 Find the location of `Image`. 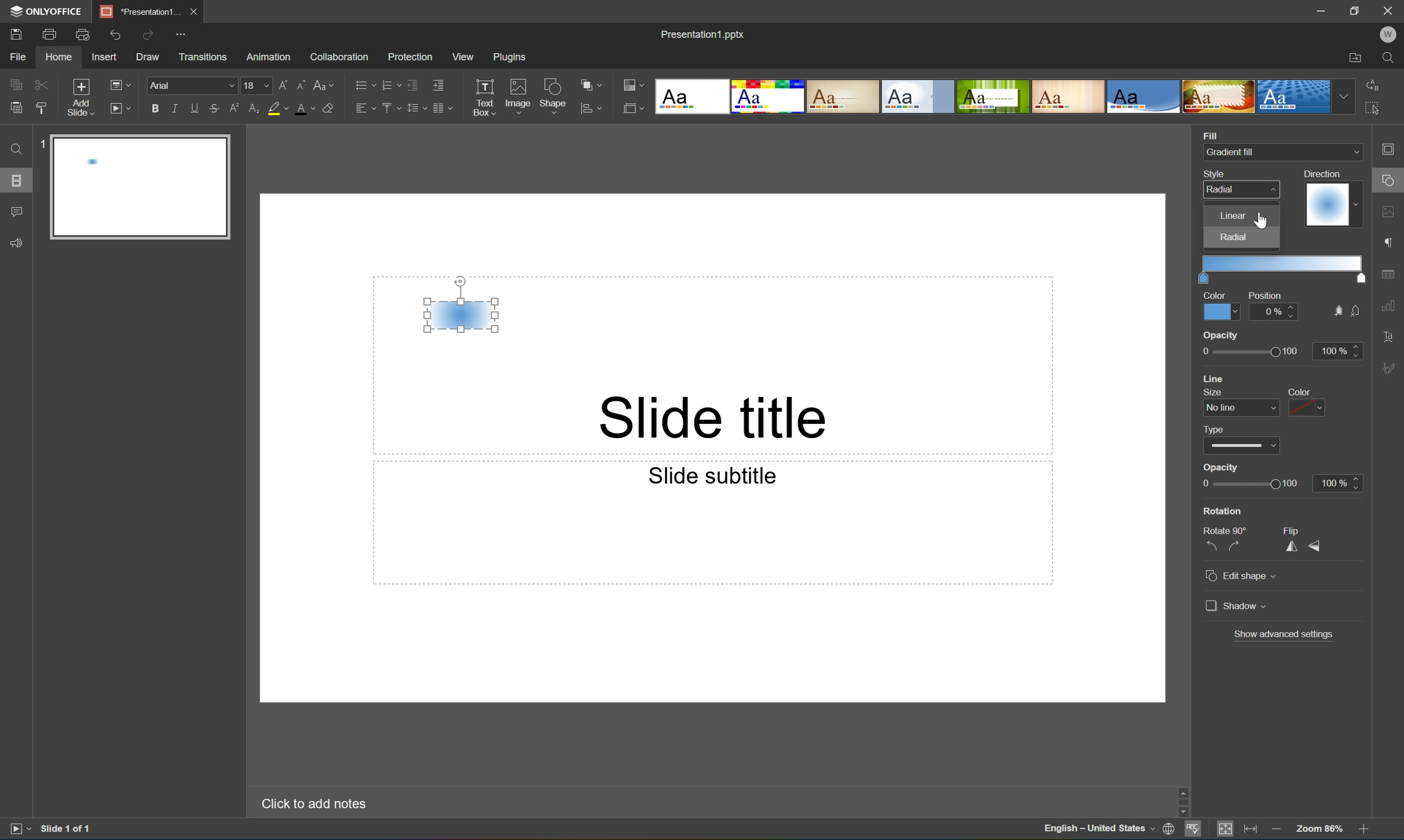

Image is located at coordinates (519, 98).